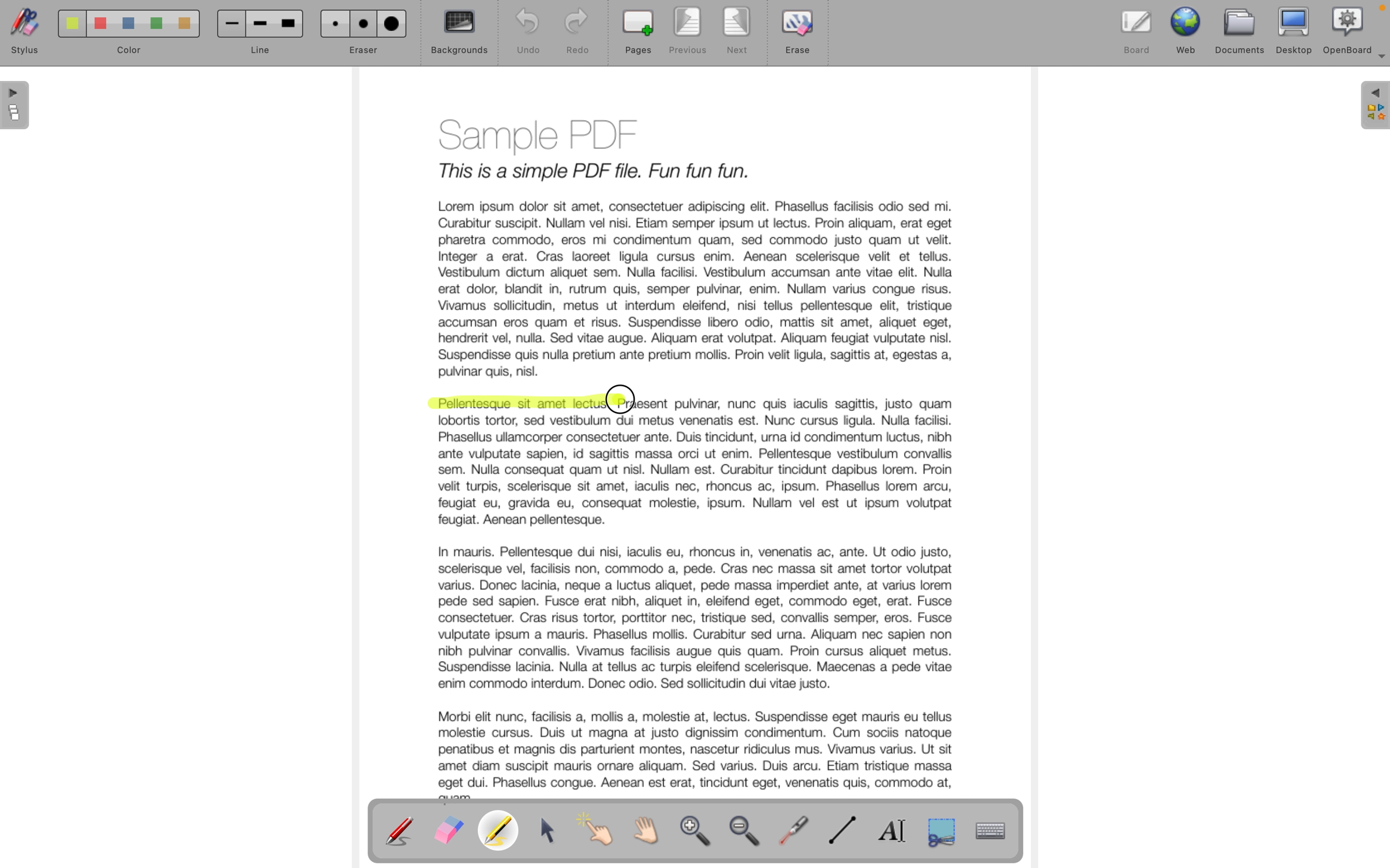 This screenshot has width=1390, height=868. I want to click on previous, so click(685, 32).